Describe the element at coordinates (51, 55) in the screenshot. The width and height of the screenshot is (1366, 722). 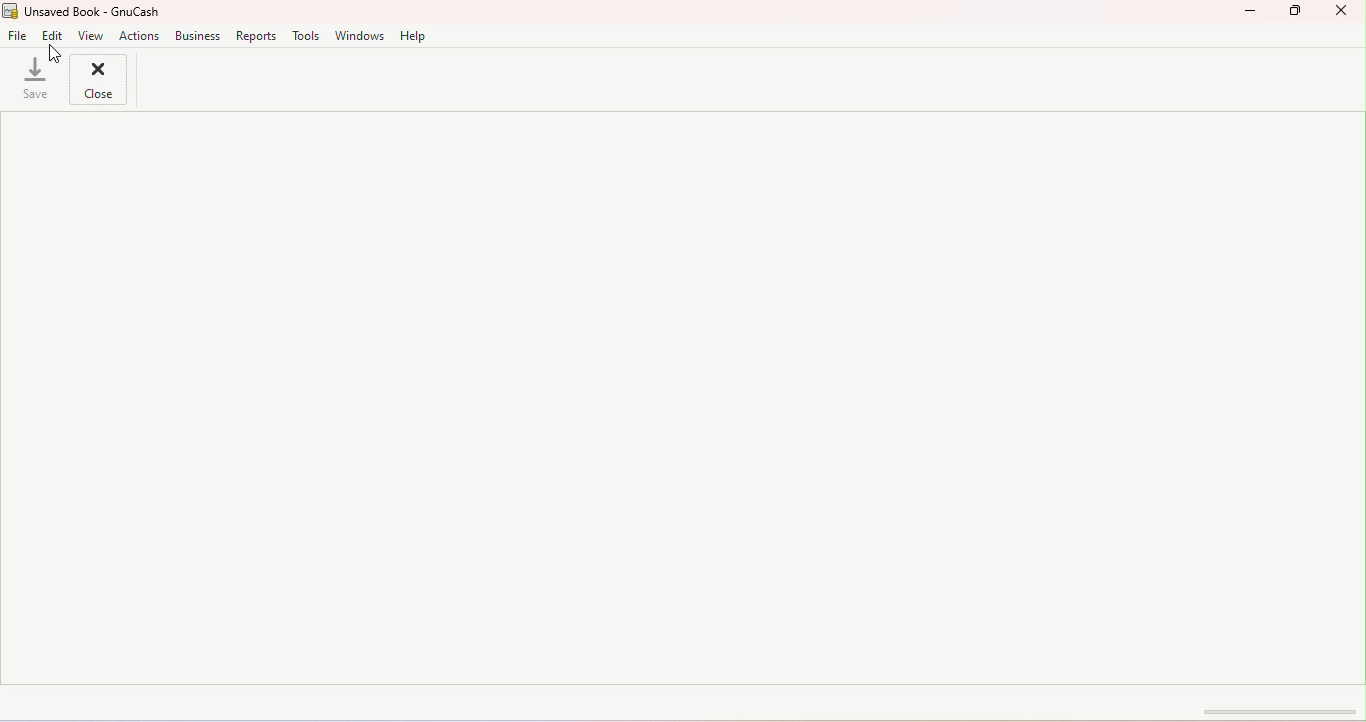
I see `Cursor` at that location.